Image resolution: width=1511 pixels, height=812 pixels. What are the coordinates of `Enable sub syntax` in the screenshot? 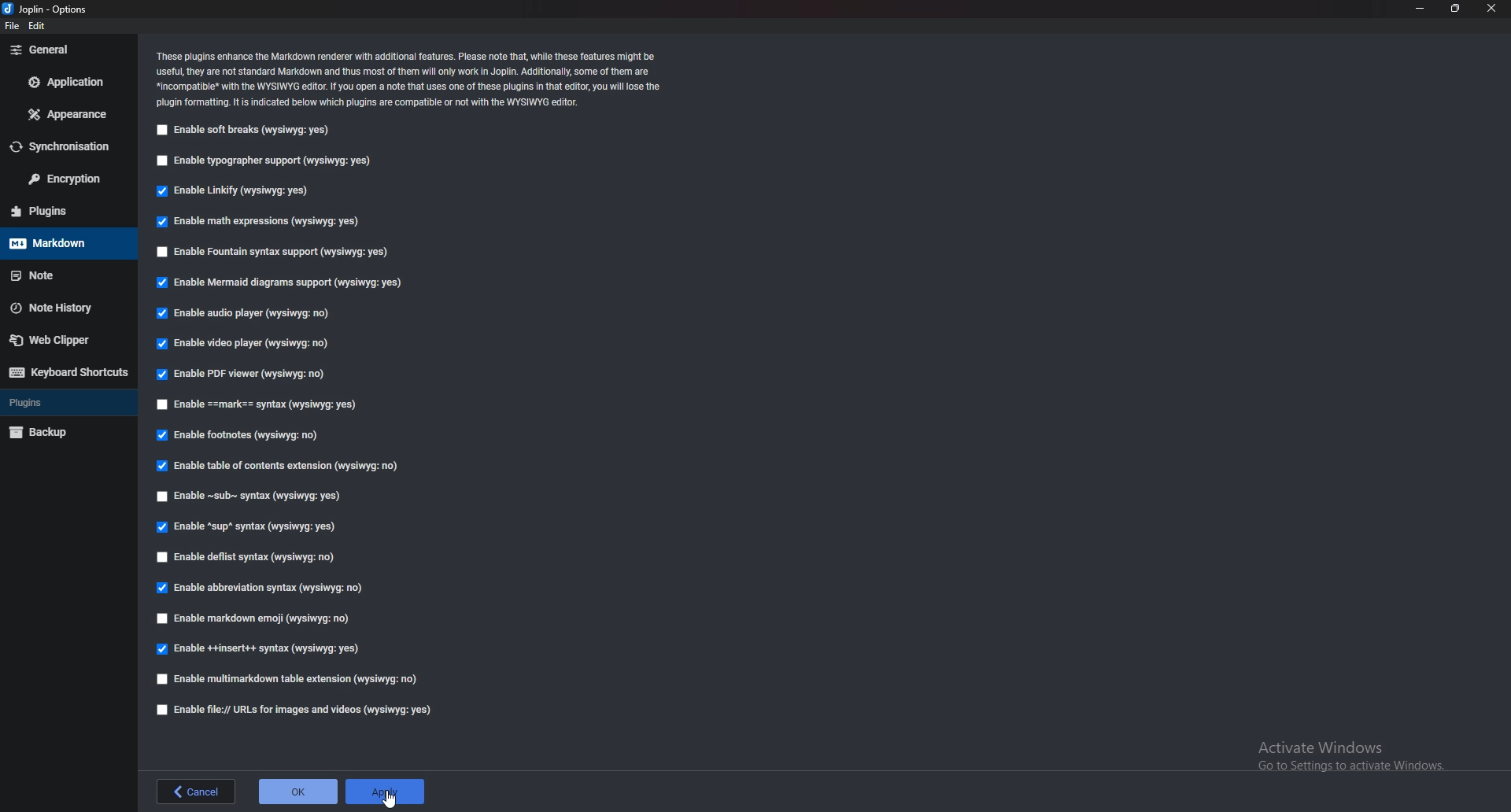 It's located at (249, 497).